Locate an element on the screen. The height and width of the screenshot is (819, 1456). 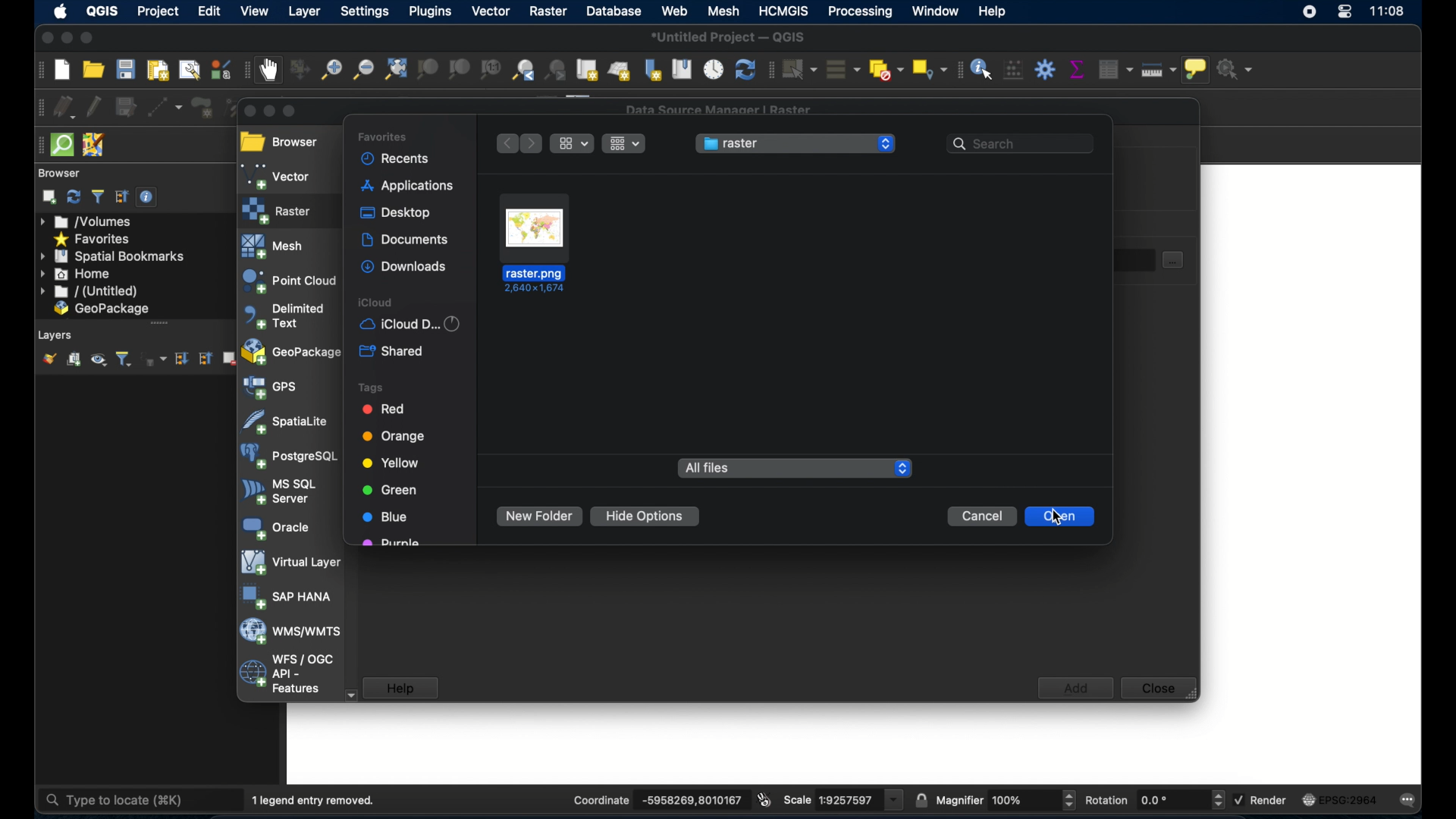
maximize is located at coordinates (290, 111).